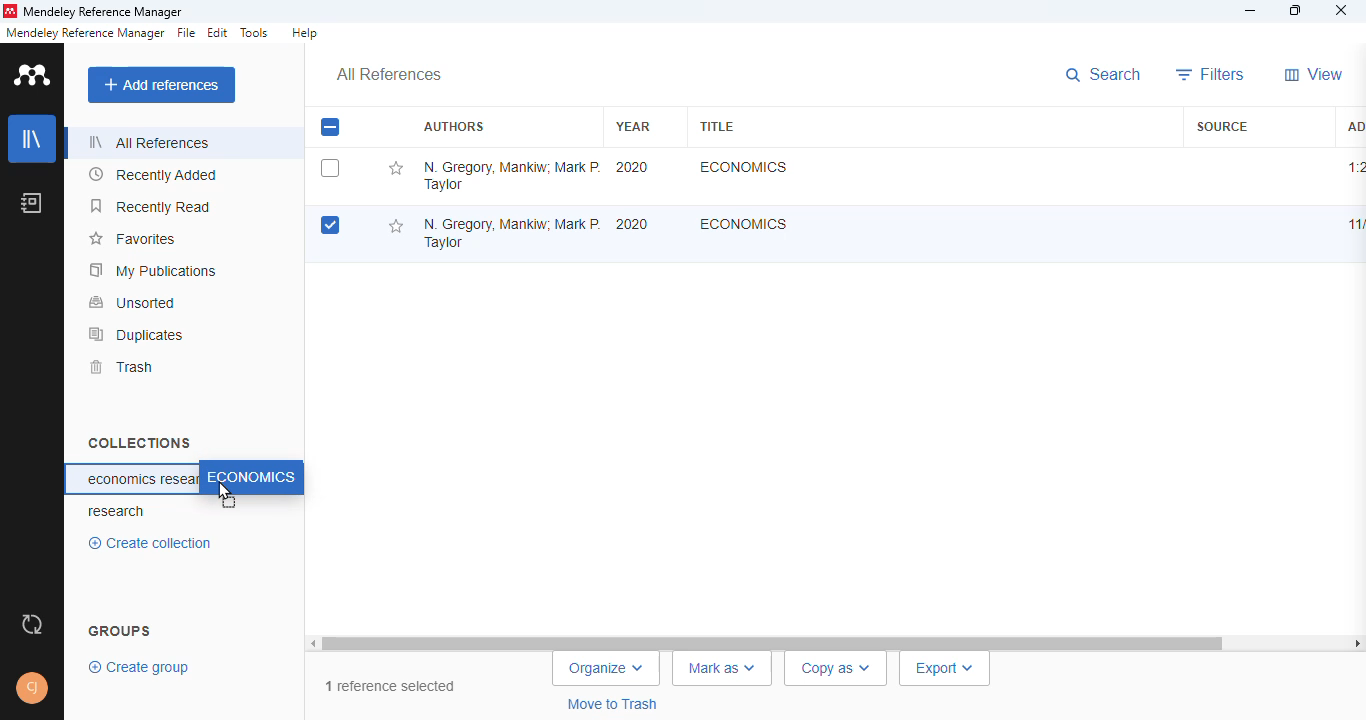  I want to click on add references, so click(162, 85).